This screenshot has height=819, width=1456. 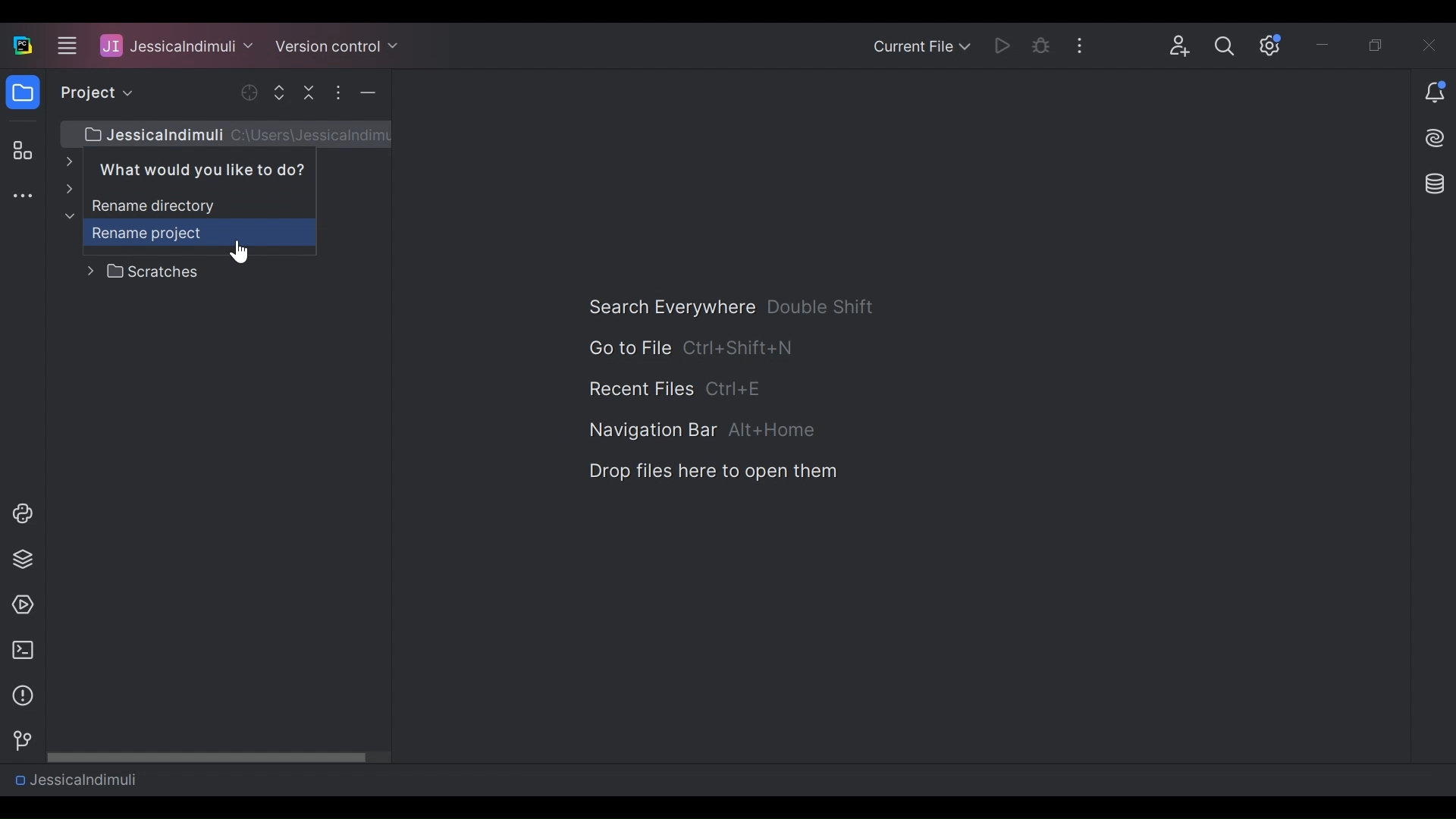 I want to click on Horizontal Scroll bar, so click(x=219, y=756).